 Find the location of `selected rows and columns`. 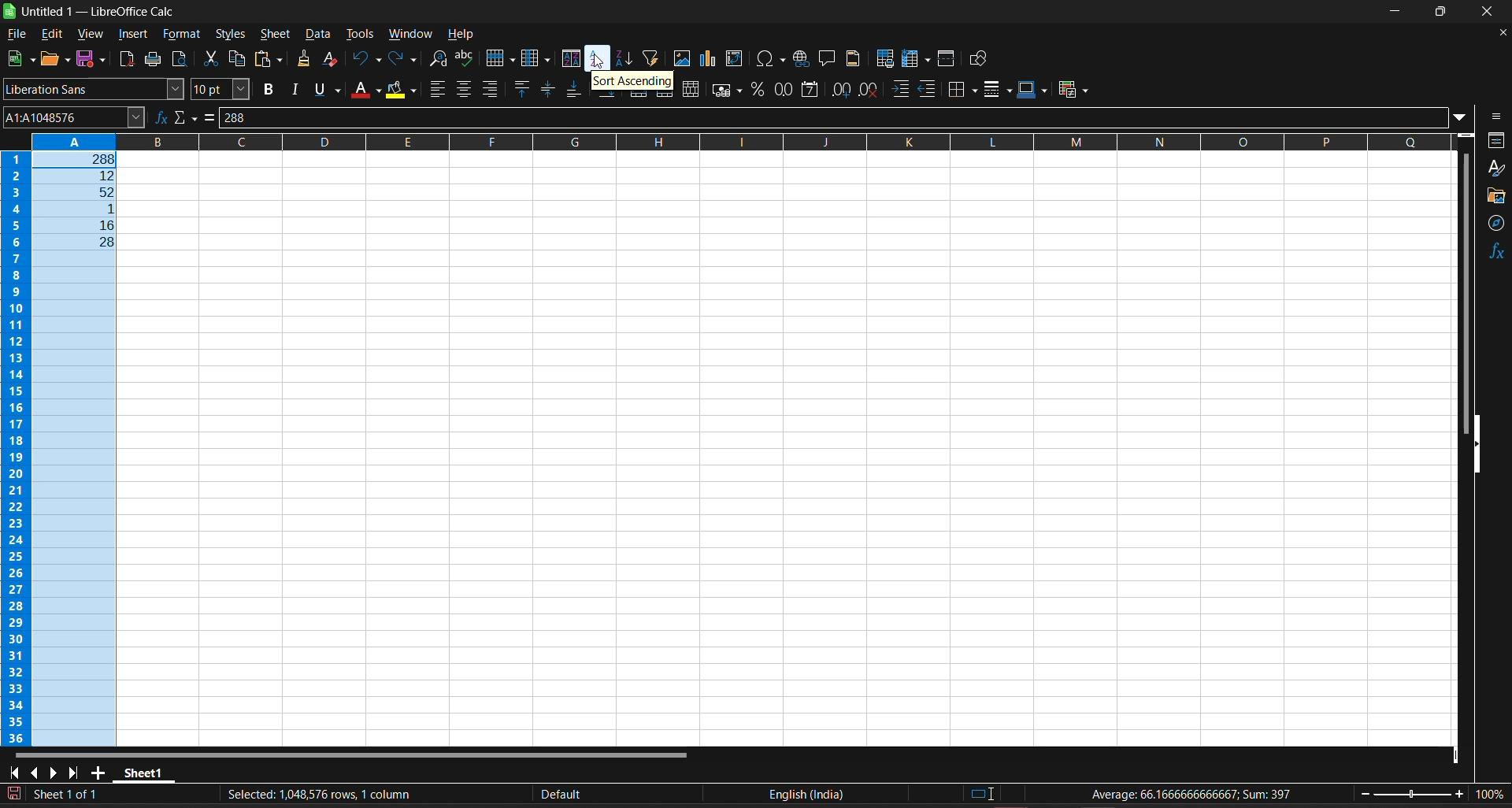

selected rows and columns is located at coordinates (315, 792).